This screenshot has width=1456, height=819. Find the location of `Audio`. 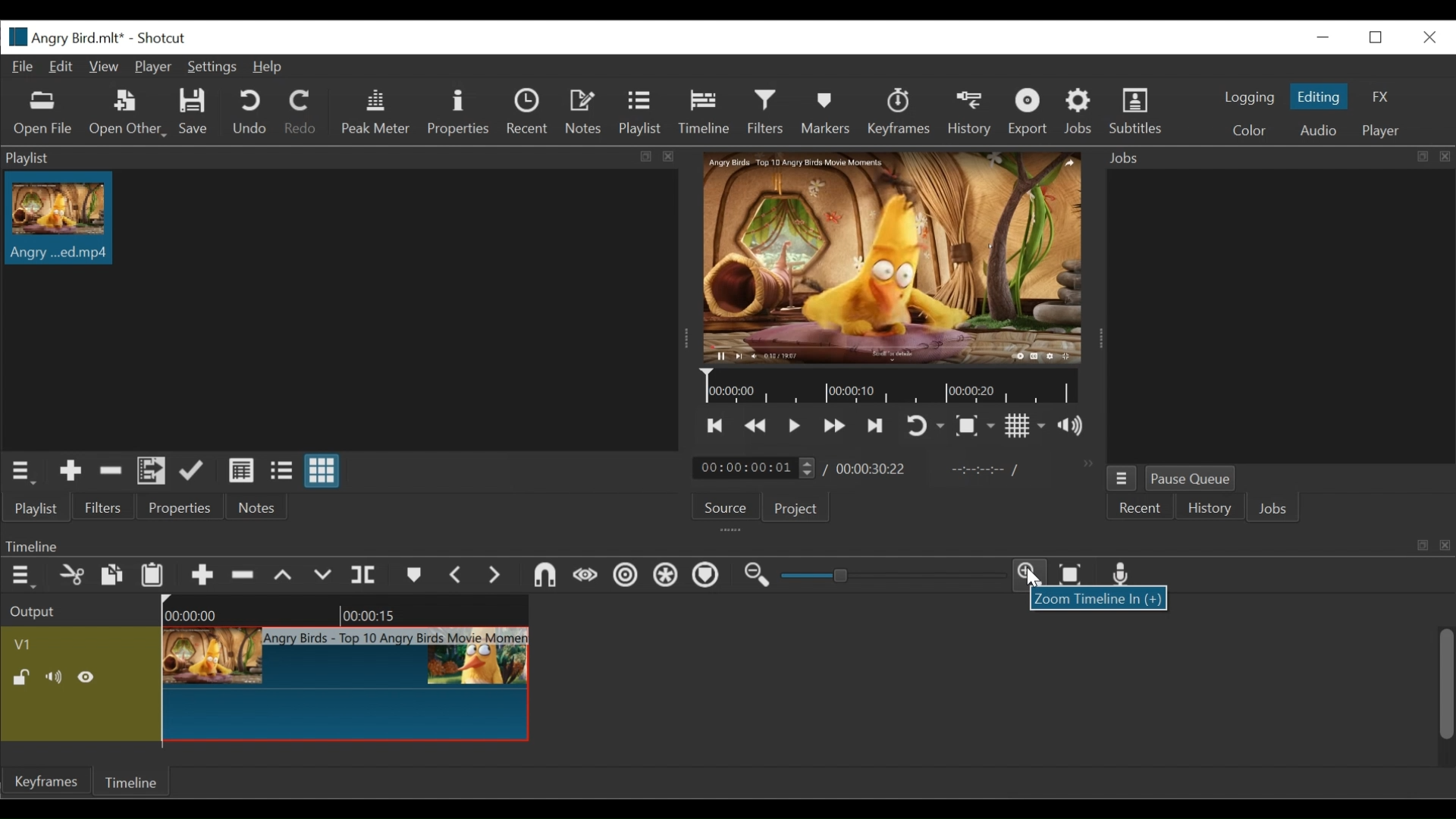

Audio is located at coordinates (1322, 130).